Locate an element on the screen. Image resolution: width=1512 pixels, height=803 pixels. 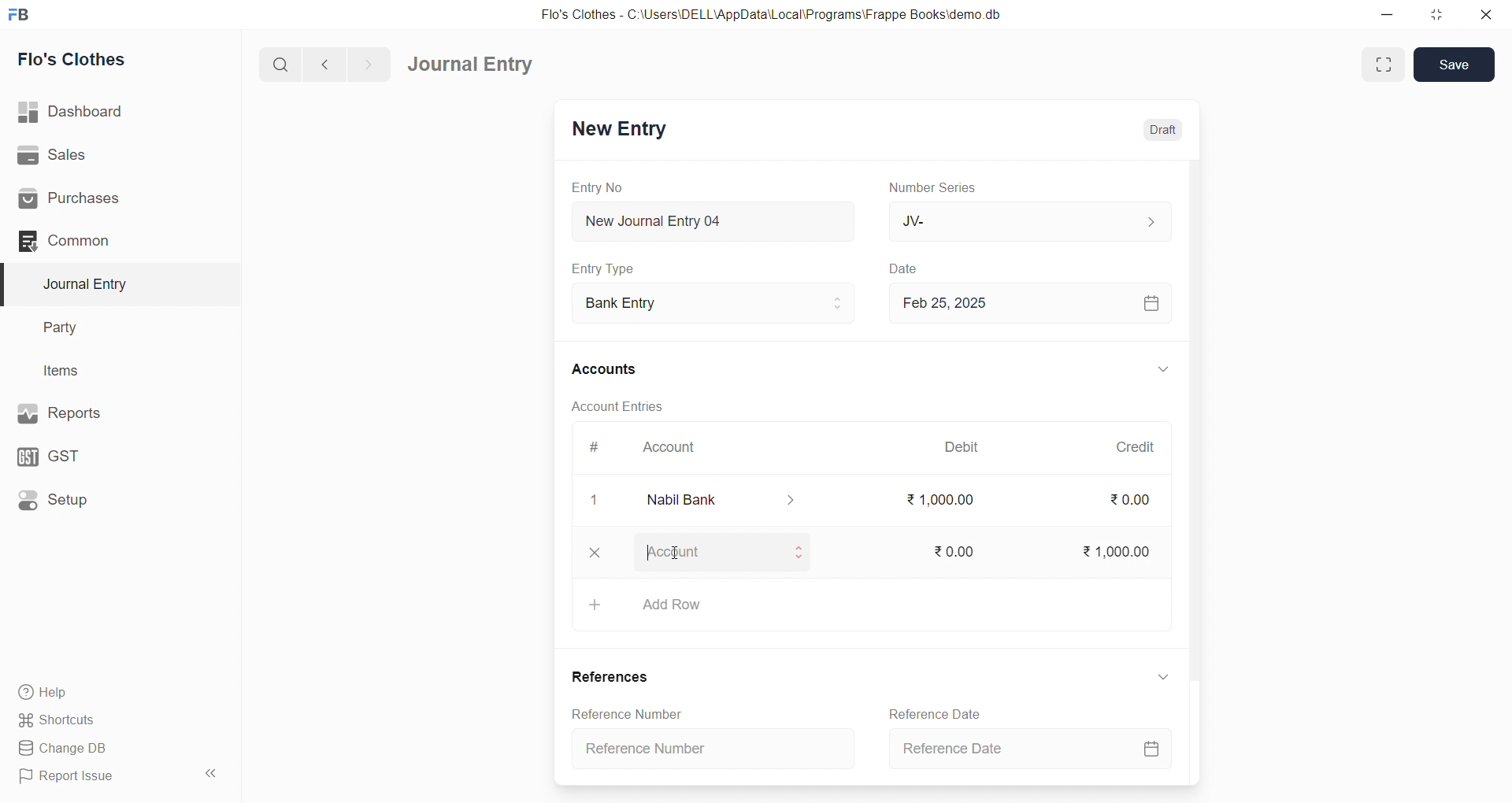
Reports is located at coordinates (110, 412).